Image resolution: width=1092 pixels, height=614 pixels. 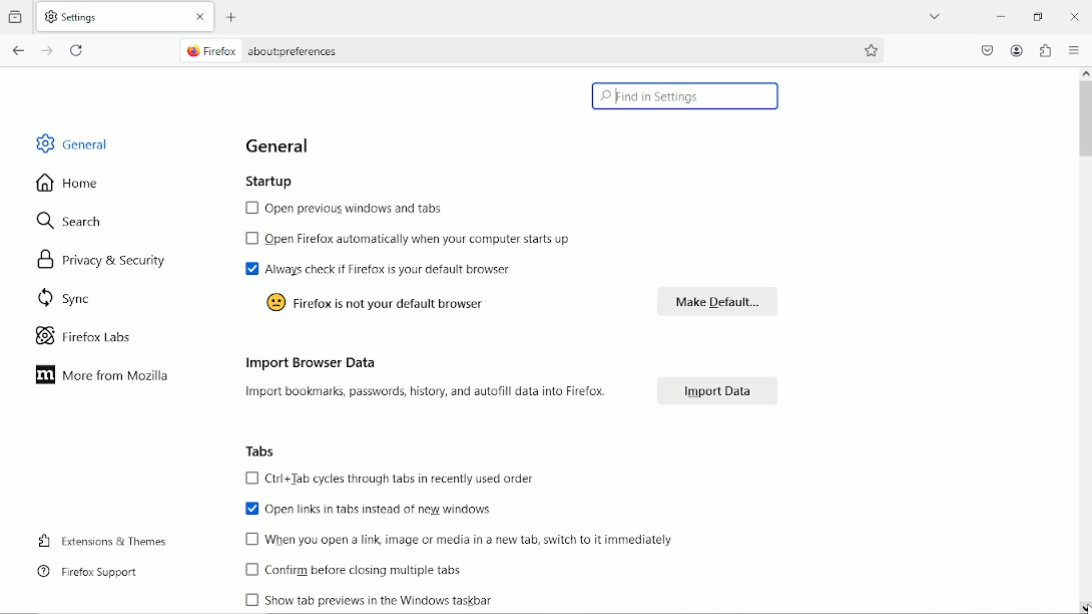 What do you see at coordinates (428, 393) in the screenshot?
I see `Import bookmarks, passwords, history, and autofill data into Firefox.` at bounding box center [428, 393].